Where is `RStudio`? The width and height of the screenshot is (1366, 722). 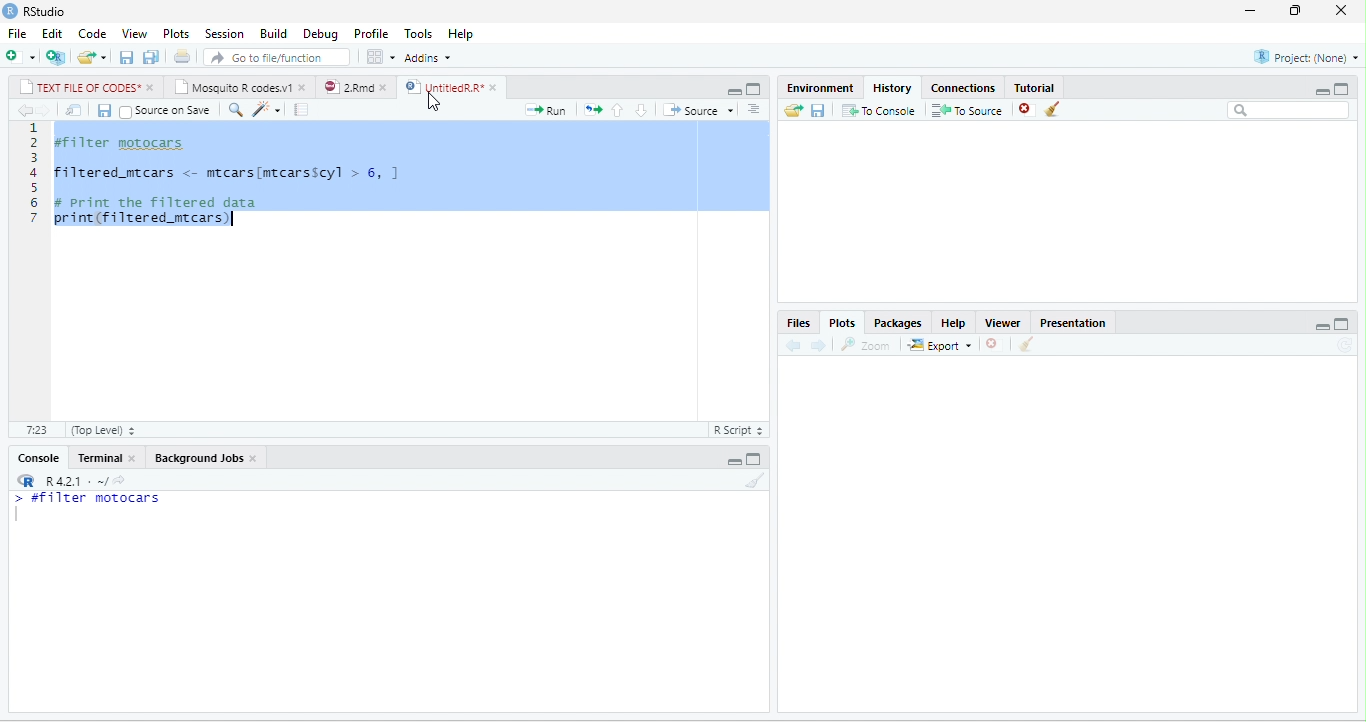 RStudio is located at coordinates (44, 11).